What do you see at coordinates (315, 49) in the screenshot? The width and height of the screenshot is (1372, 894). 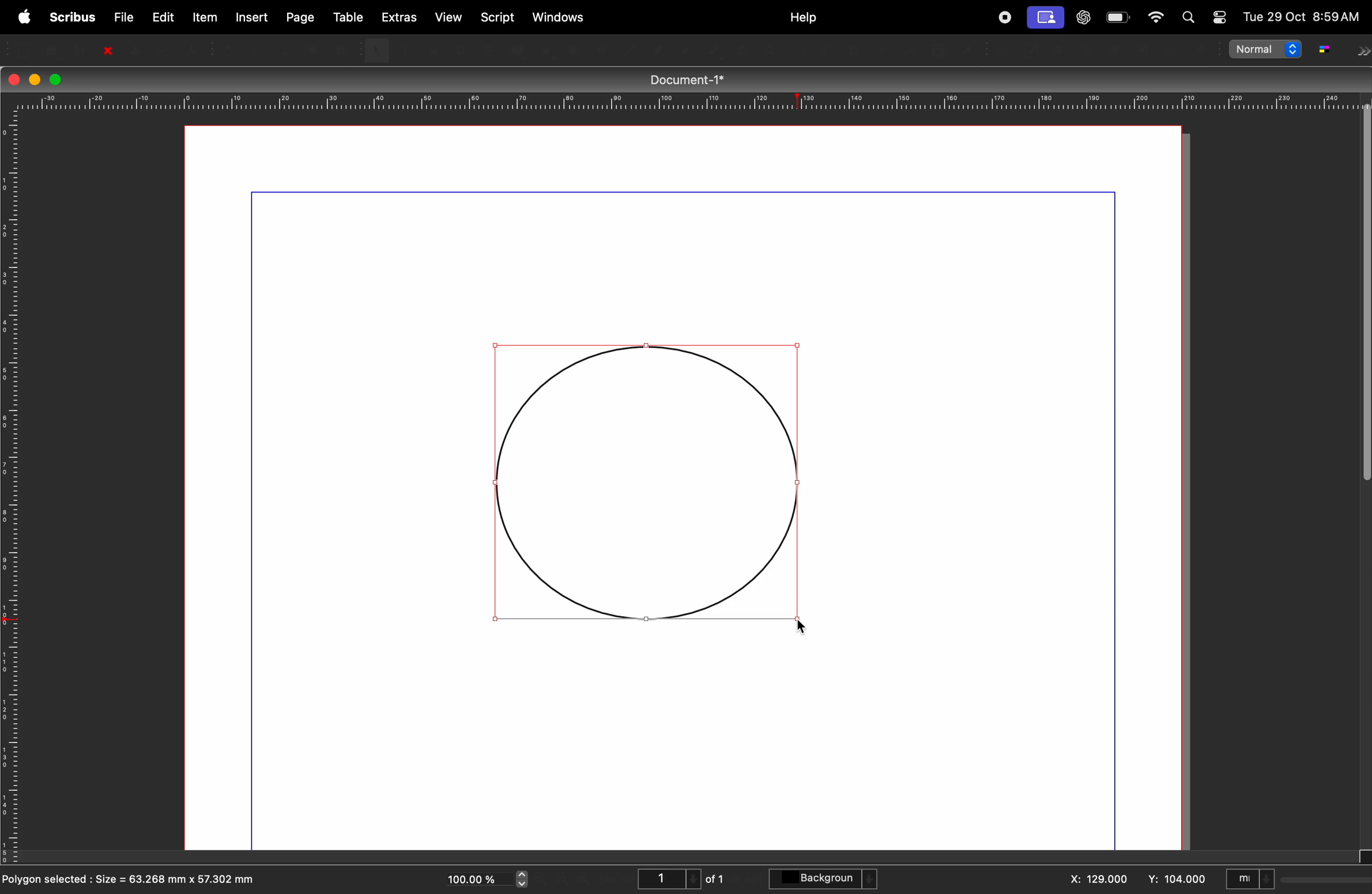 I see `Copy` at bounding box center [315, 49].